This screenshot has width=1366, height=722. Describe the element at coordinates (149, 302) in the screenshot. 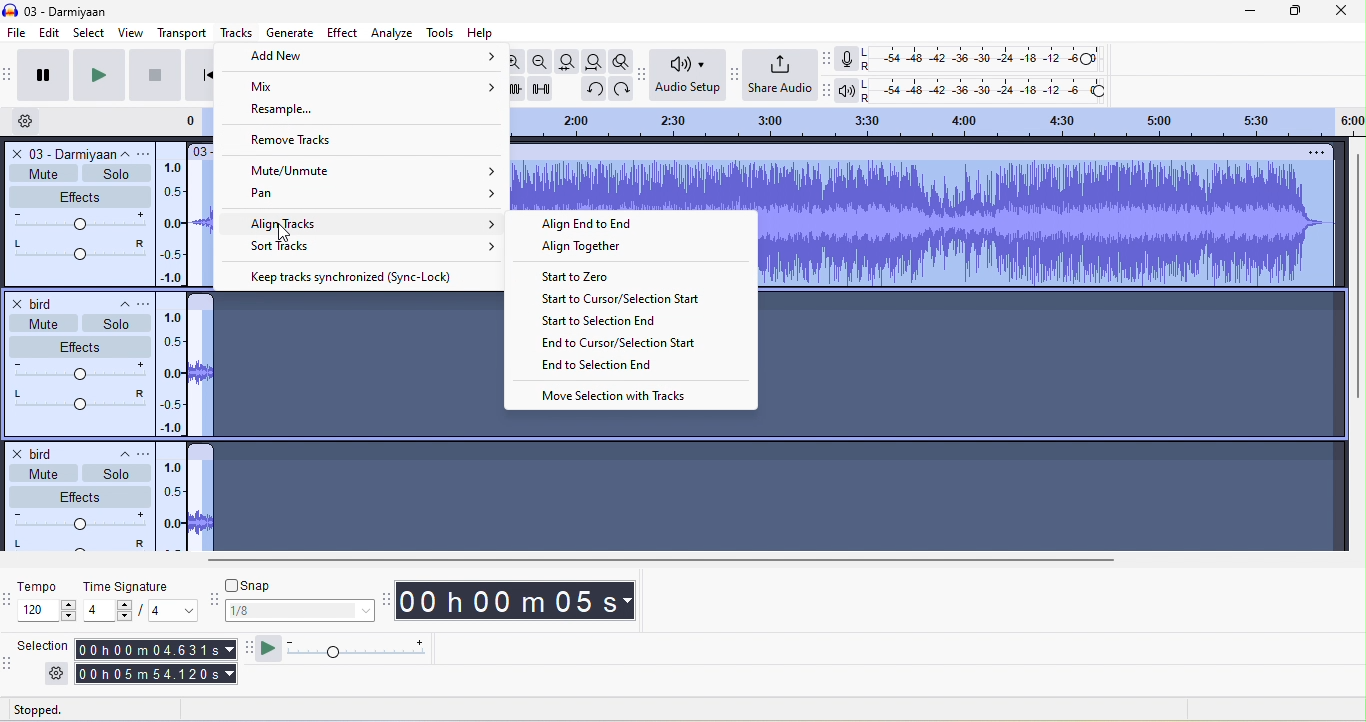

I see `open menu` at that location.